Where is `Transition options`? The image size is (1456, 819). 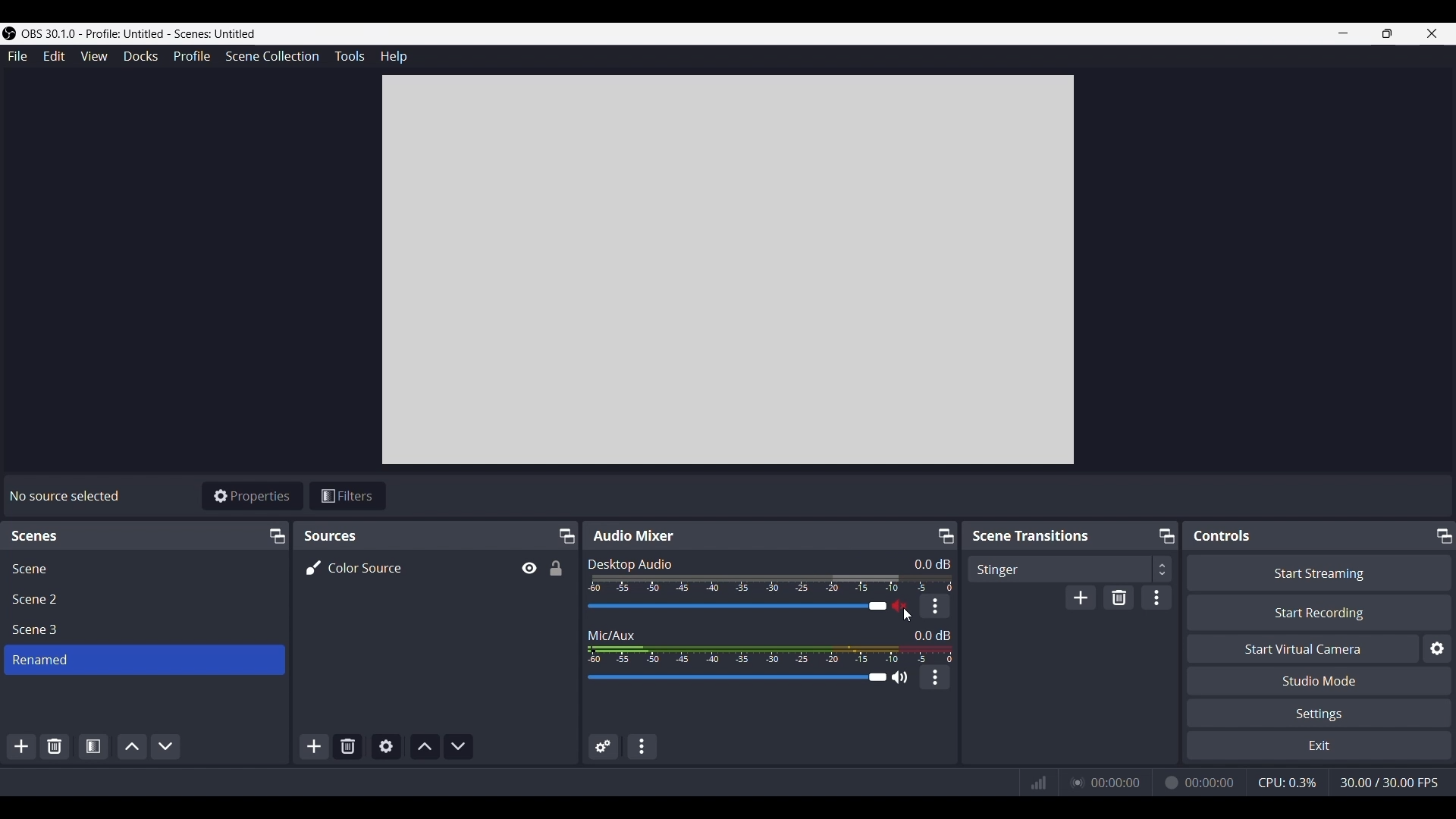 Transition options is located at coordinates (1069, 569).